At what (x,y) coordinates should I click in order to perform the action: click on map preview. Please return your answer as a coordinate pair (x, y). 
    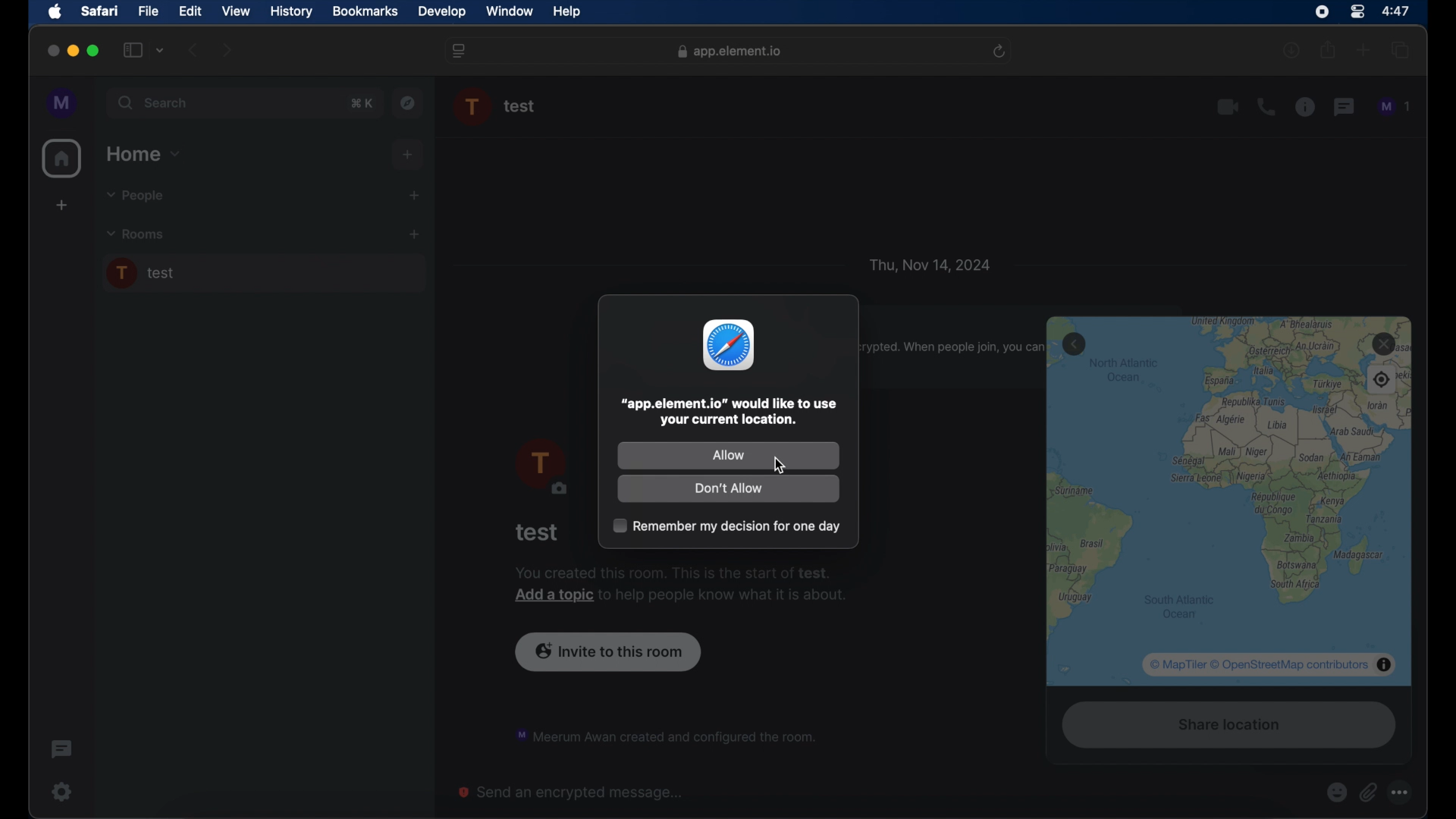
    Looking at the image, I should click on (1230, 501).